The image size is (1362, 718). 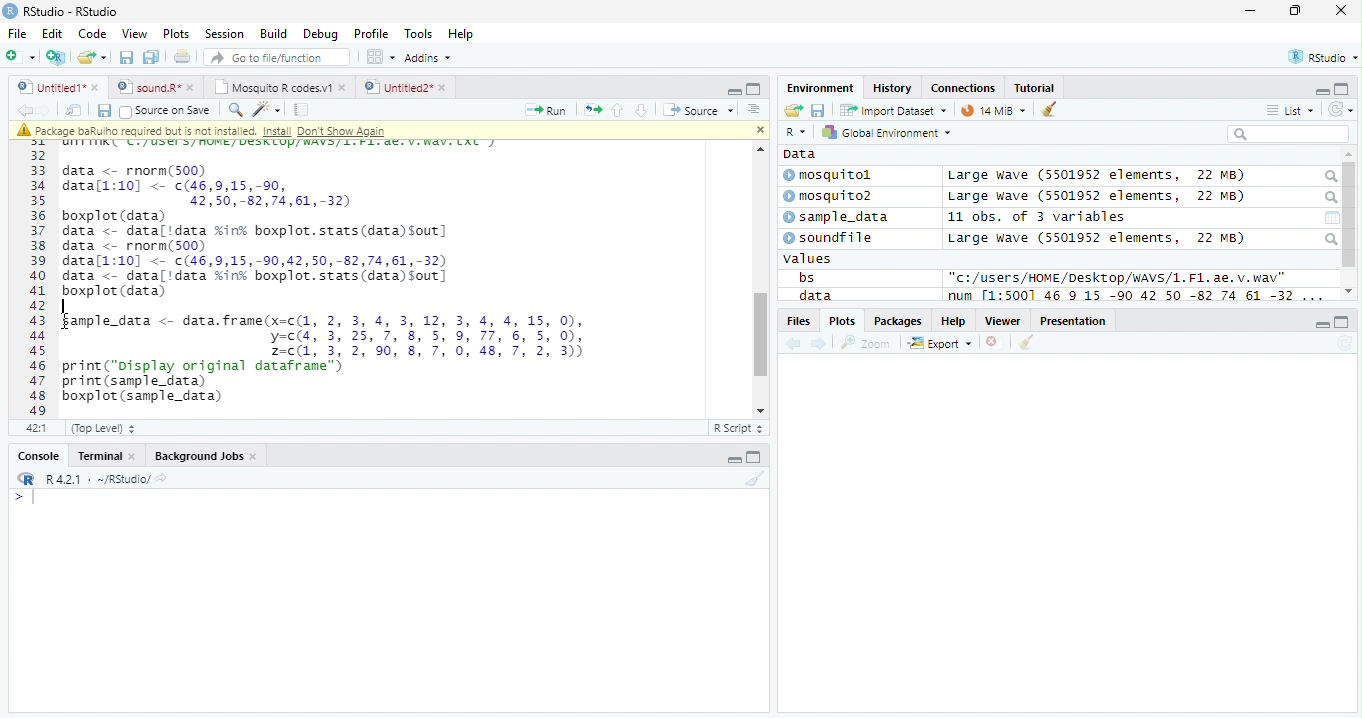 What do you see at coordinates (277, 57) in the screenshot?
I see `Go to fie/function` at bounding box center [277, 57].